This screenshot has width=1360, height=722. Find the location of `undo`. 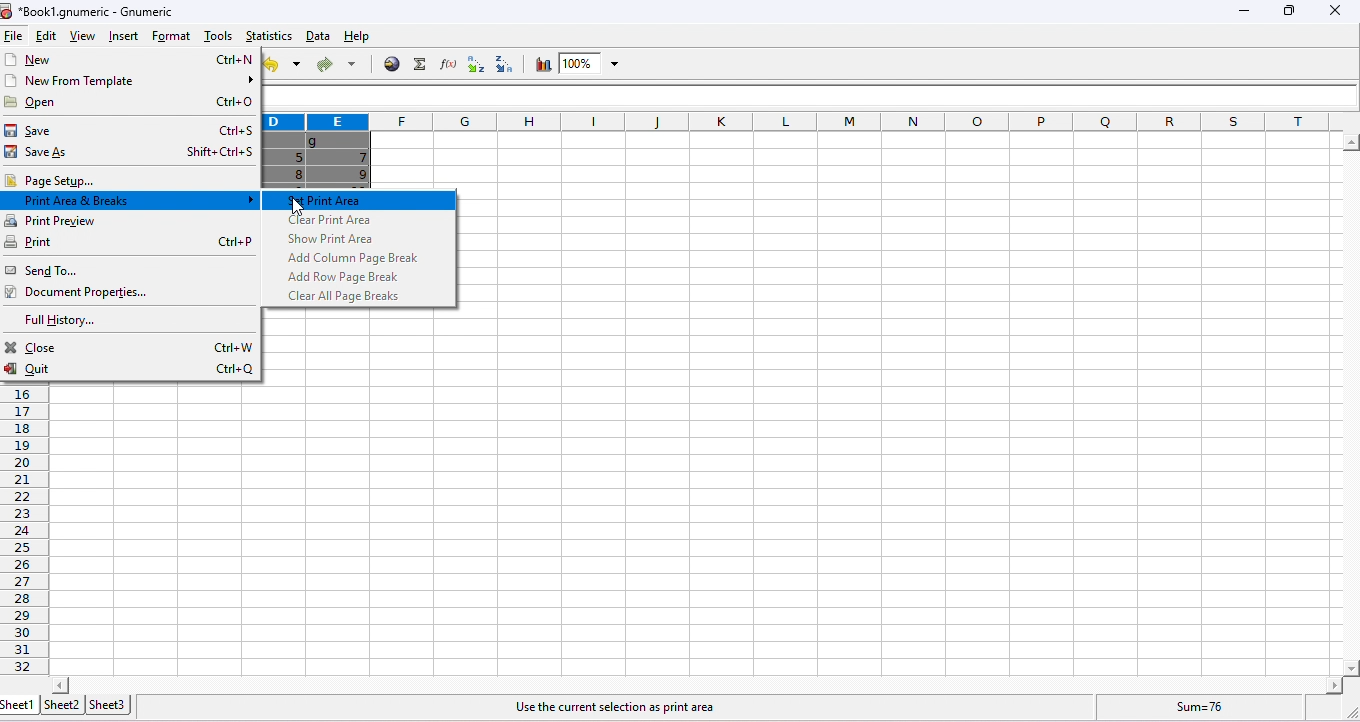

undo is located at coordinates (283, 65).